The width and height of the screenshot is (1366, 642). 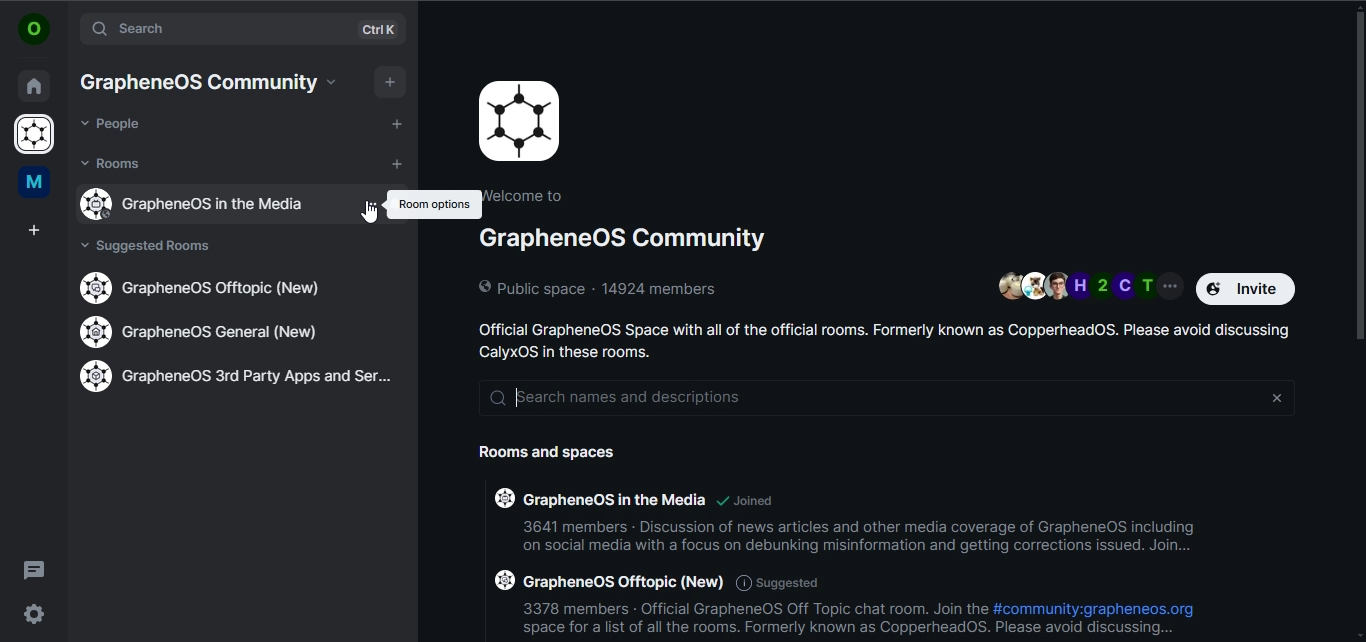 What do you see at coordinates (846, 517) in the screenshot?
I see `GrapheneOS in the Media Joined
3641 members - Discussion of news articles and other media coverage of Graphene0S including
on social media with a focus on debunking misinformation and getting corrections issued. Join...` at bounding box center [846, 517].